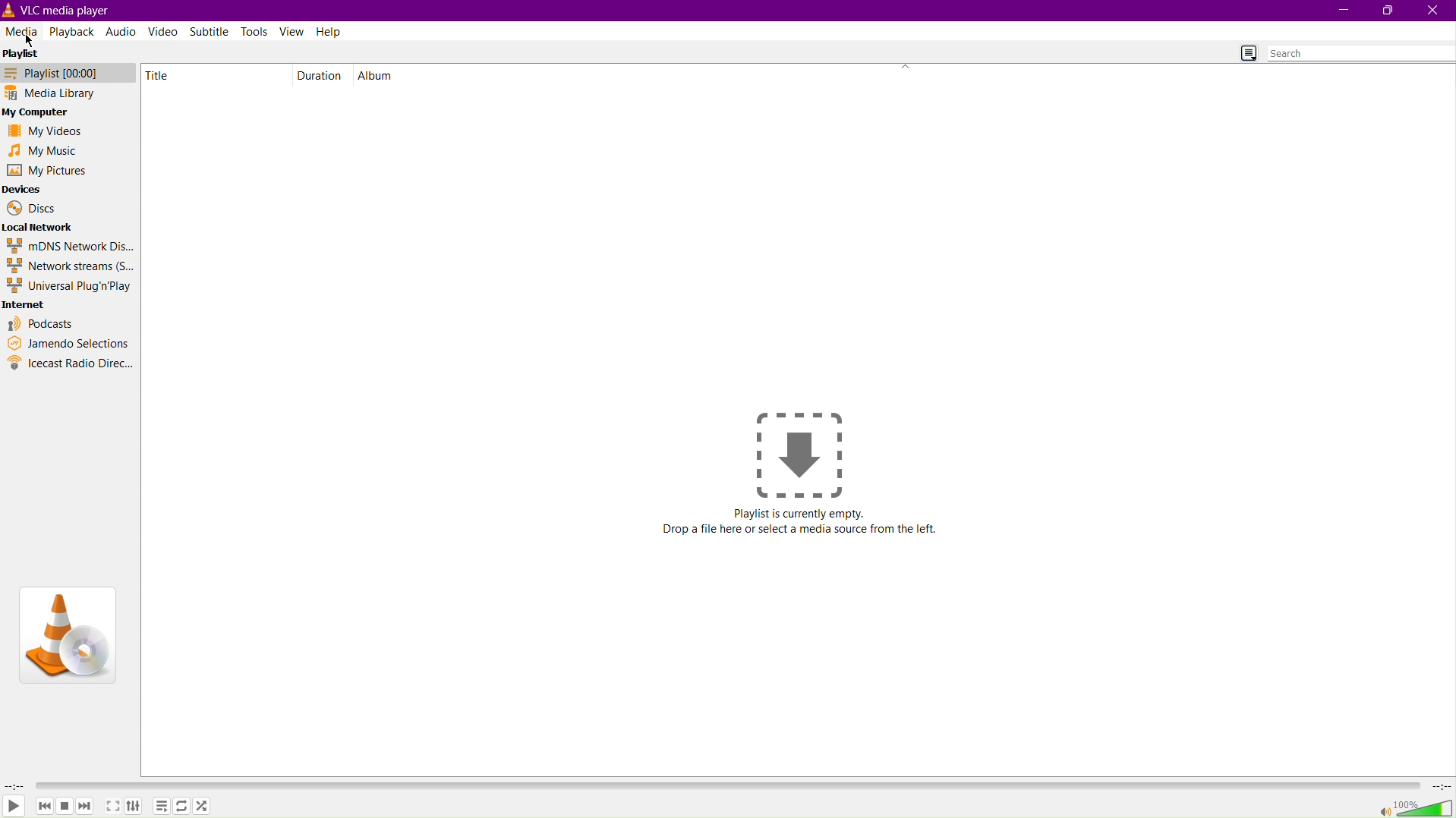  Describe the element at coordinates (9, 9) in the screenshot. I see `logo` at that location.